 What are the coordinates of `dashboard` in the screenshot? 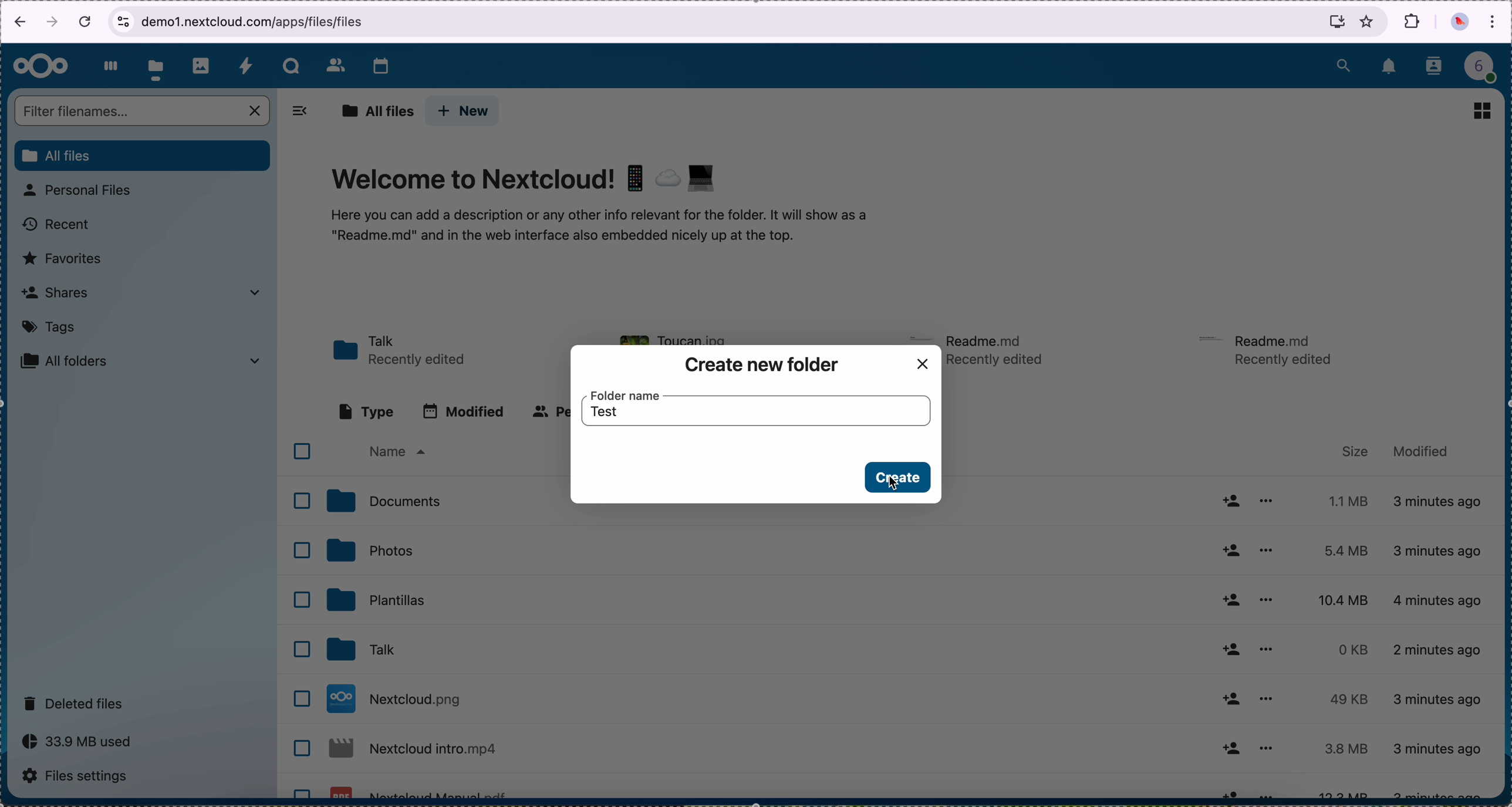 It's located at (107, 66).